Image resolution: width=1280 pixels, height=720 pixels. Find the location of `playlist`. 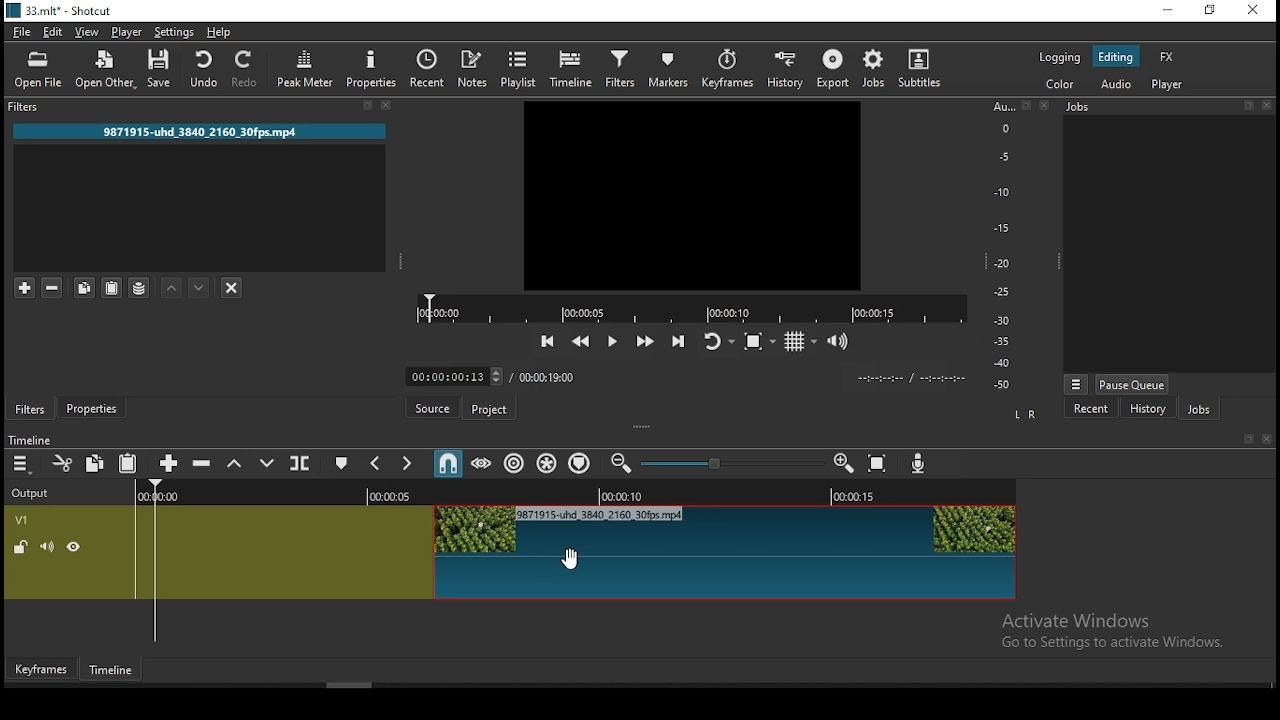

playlist is located at coordinates (515, 68).